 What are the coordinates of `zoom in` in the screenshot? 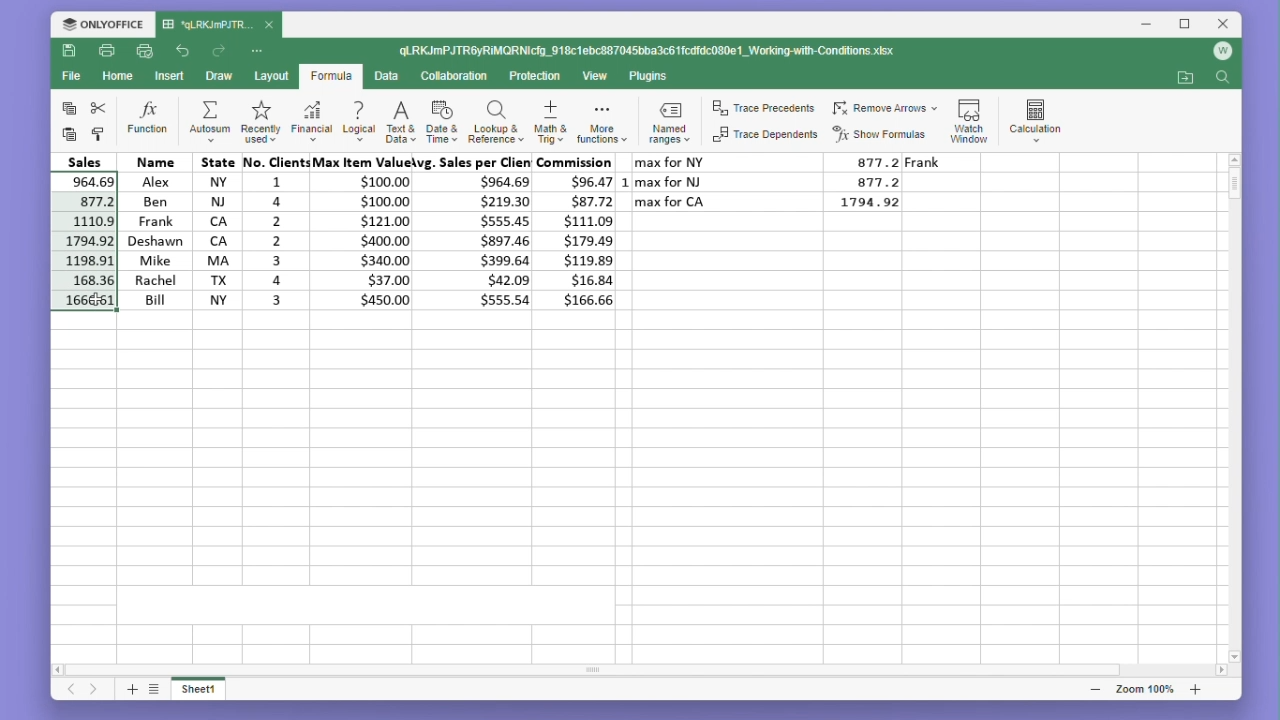 It's located at (1195, 689).